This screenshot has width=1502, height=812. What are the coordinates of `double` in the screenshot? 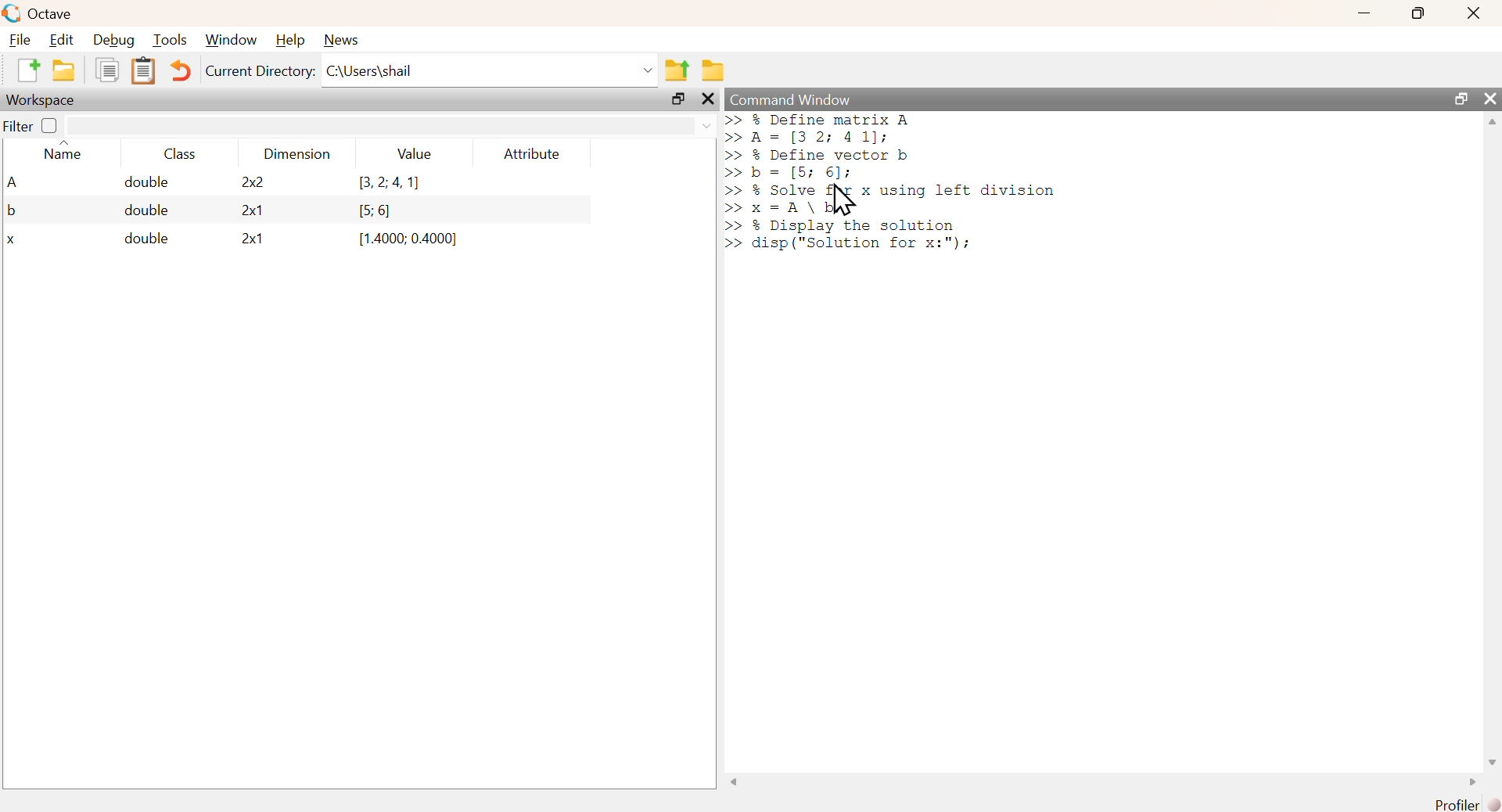 It's located at (135, 183).